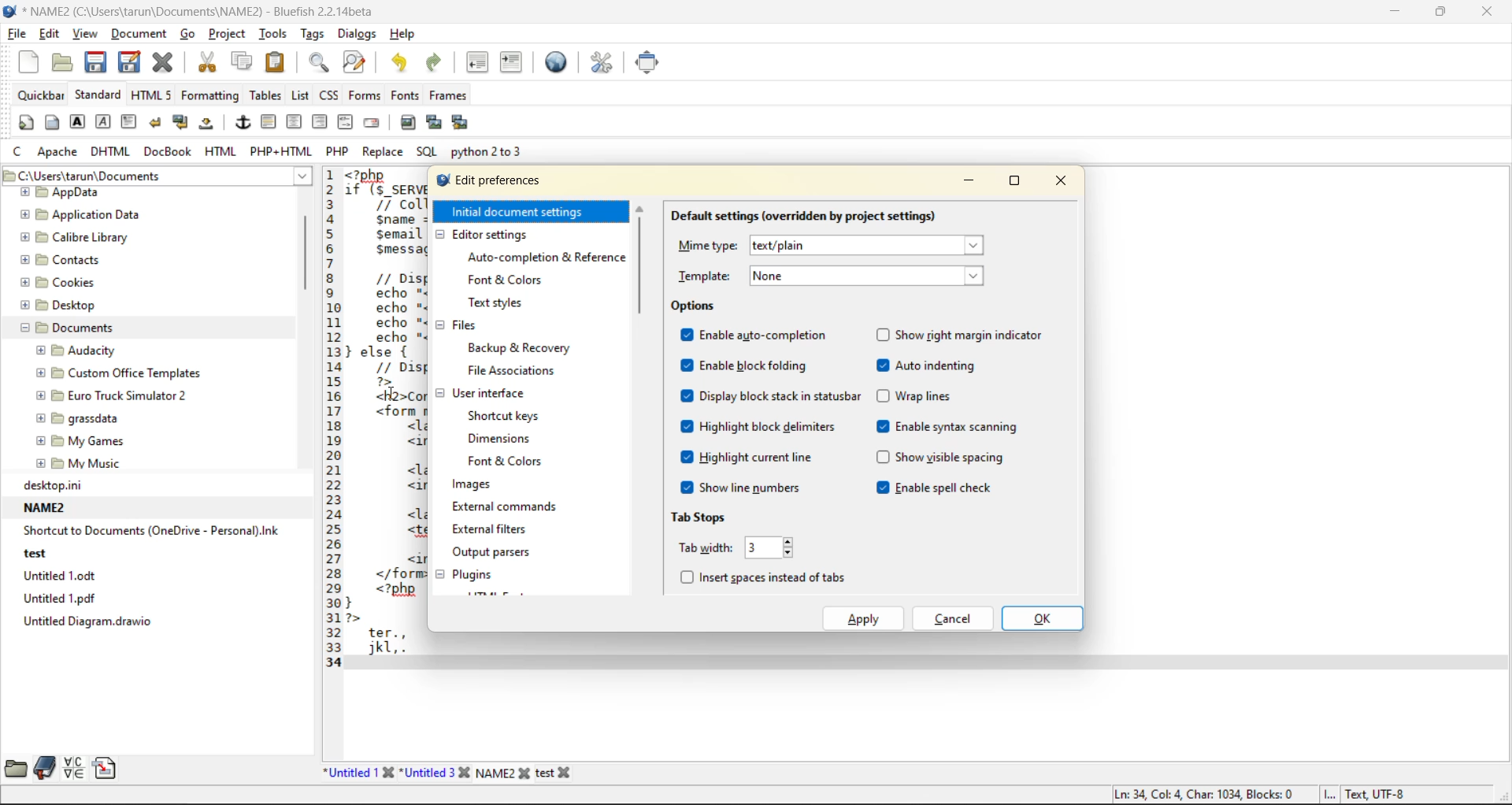 The width and height of the screenshot is (1512, 805). I want to click on non breaking space, so click(210, 124).